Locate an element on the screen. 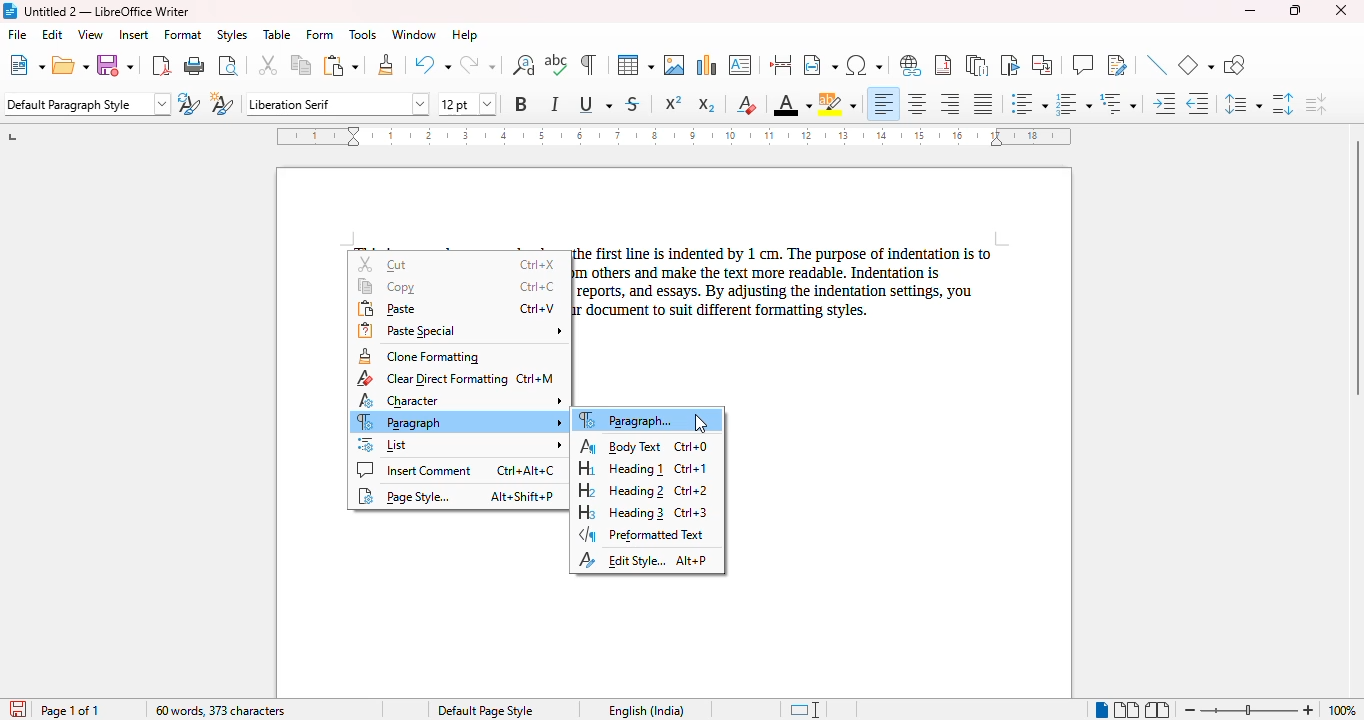 This screenshot has width=1364, height=720. heading 2 is located at coordinates (644, 491).